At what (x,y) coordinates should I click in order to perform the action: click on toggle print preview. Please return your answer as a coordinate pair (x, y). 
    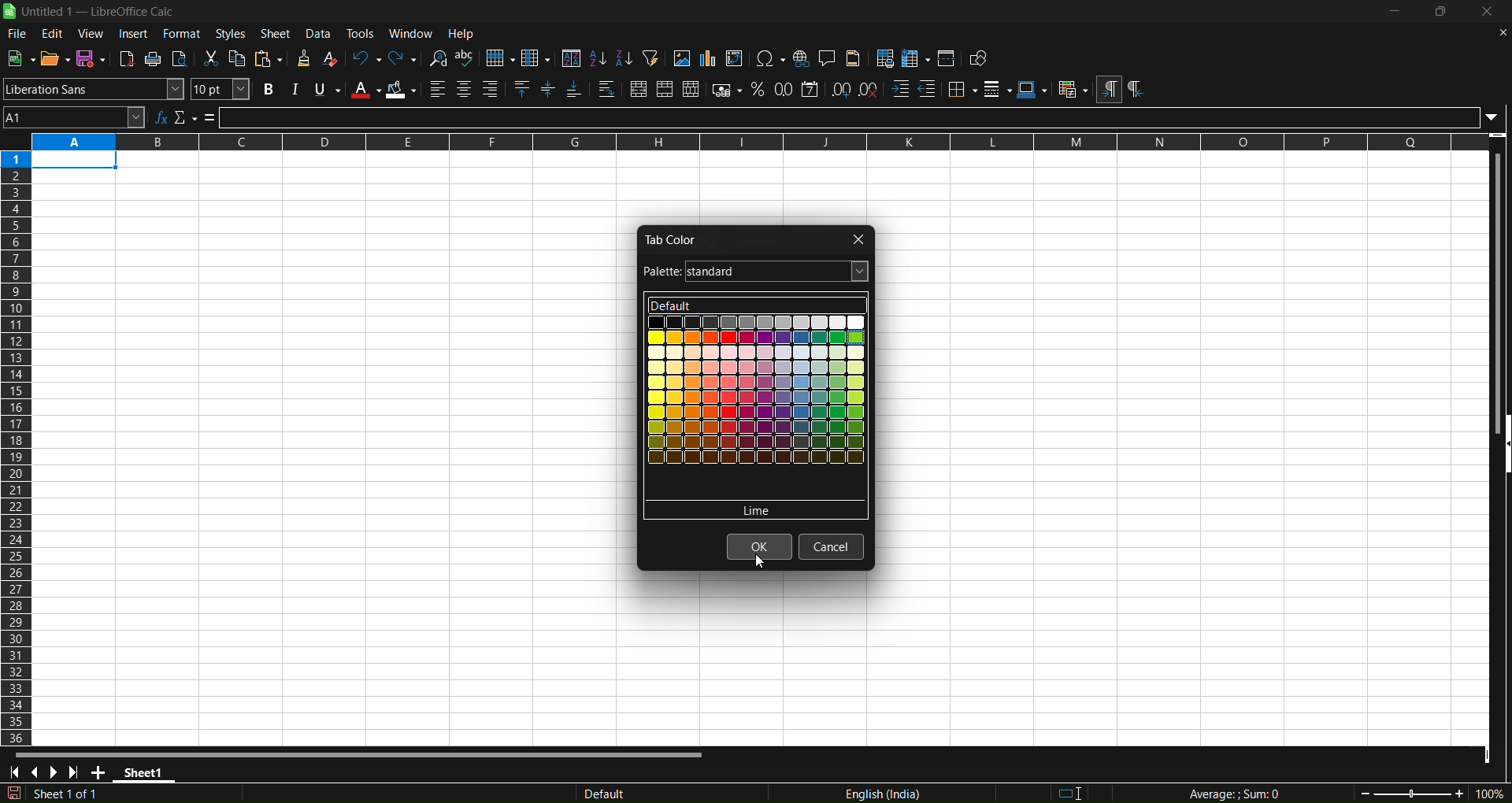
    Looking at the image, I should click on (180, 59).